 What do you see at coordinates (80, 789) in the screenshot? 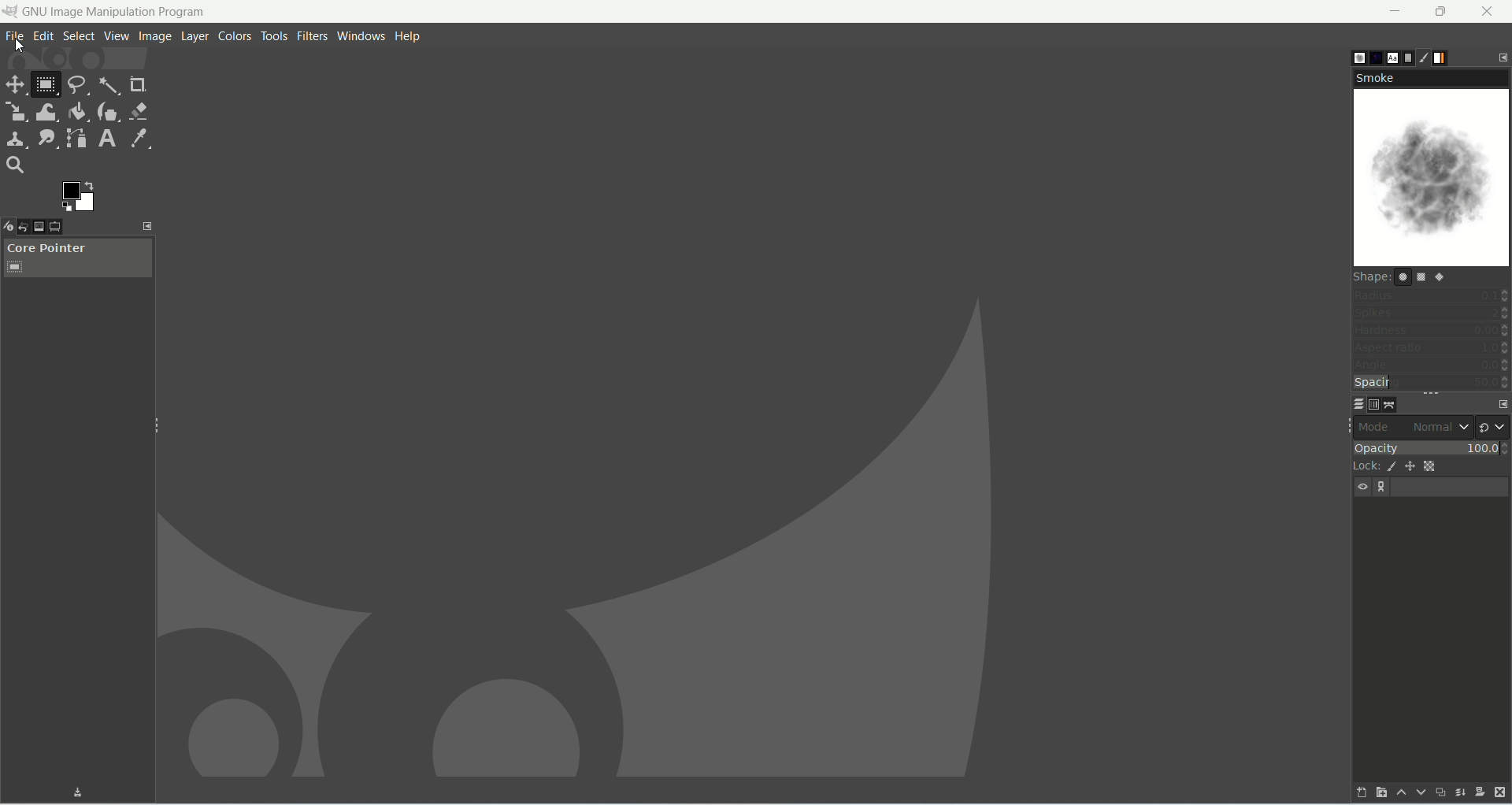
I see `Download` at bounding box center [80, 789].